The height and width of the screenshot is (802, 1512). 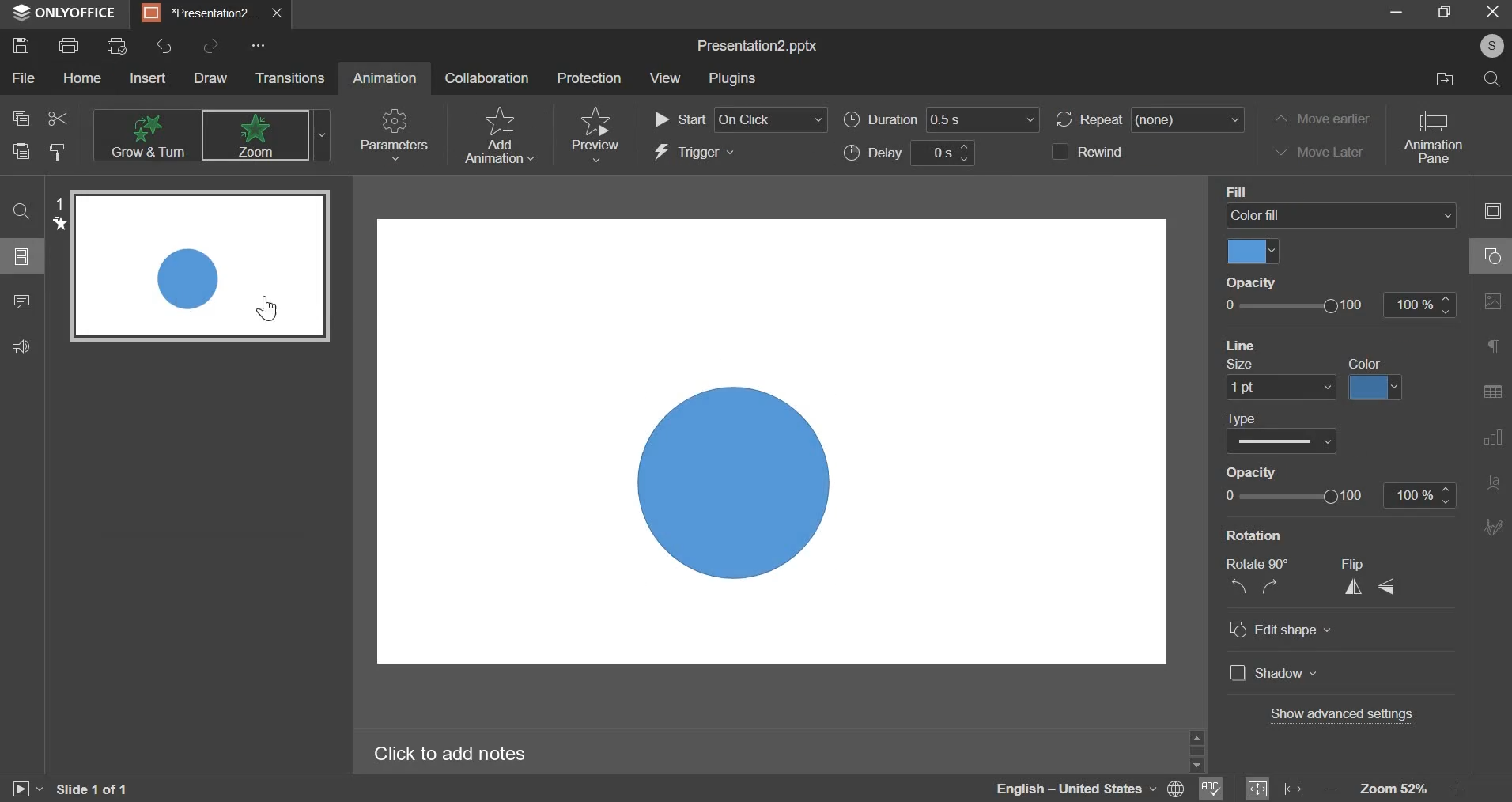 I want to click on Slide 1 of 1, so click(x=100, y=786).